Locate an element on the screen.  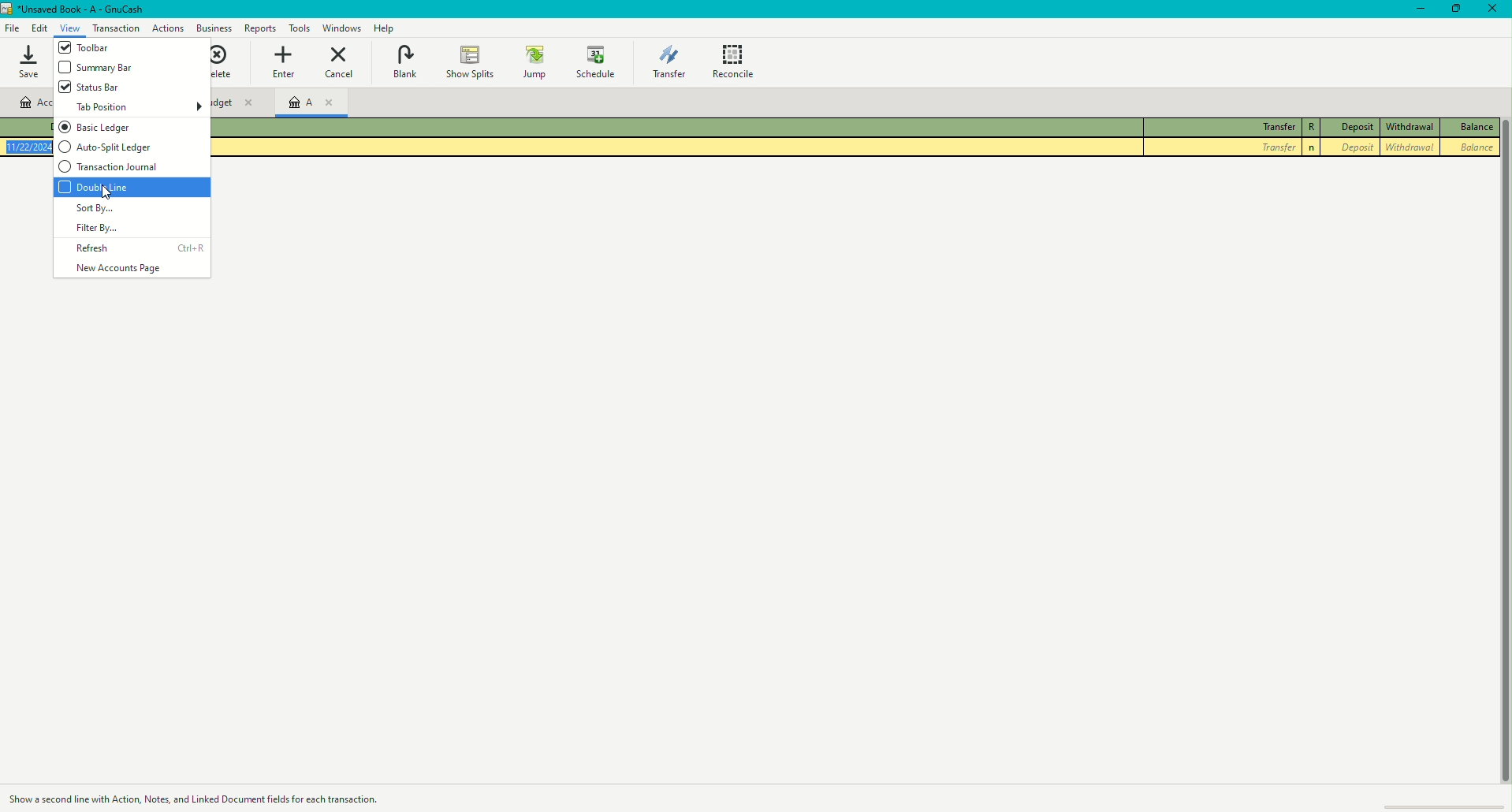
Reconcile is located at coordinates (737, 61).